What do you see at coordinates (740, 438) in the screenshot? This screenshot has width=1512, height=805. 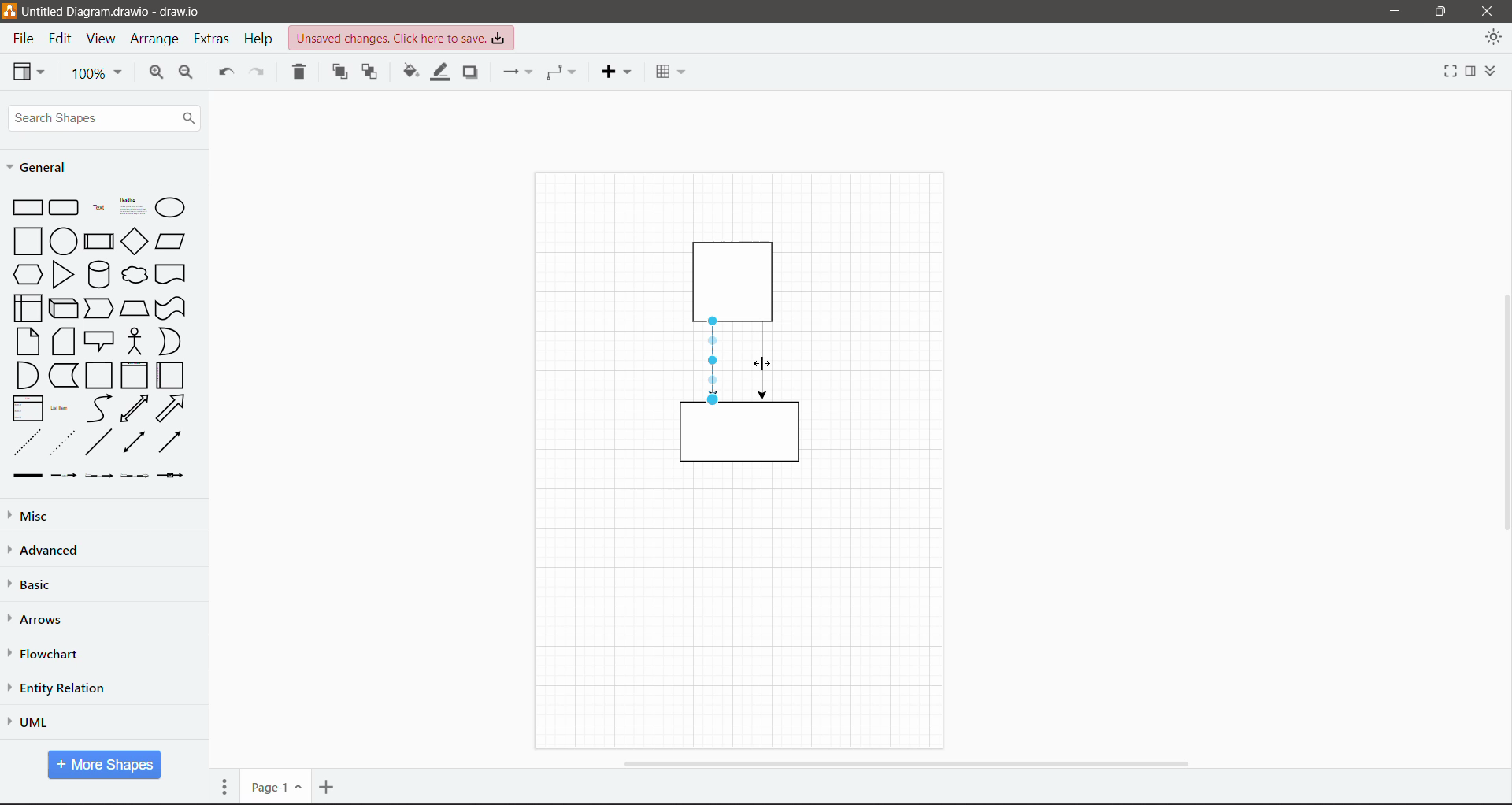 I see `container` at bounding box center [740, 438].